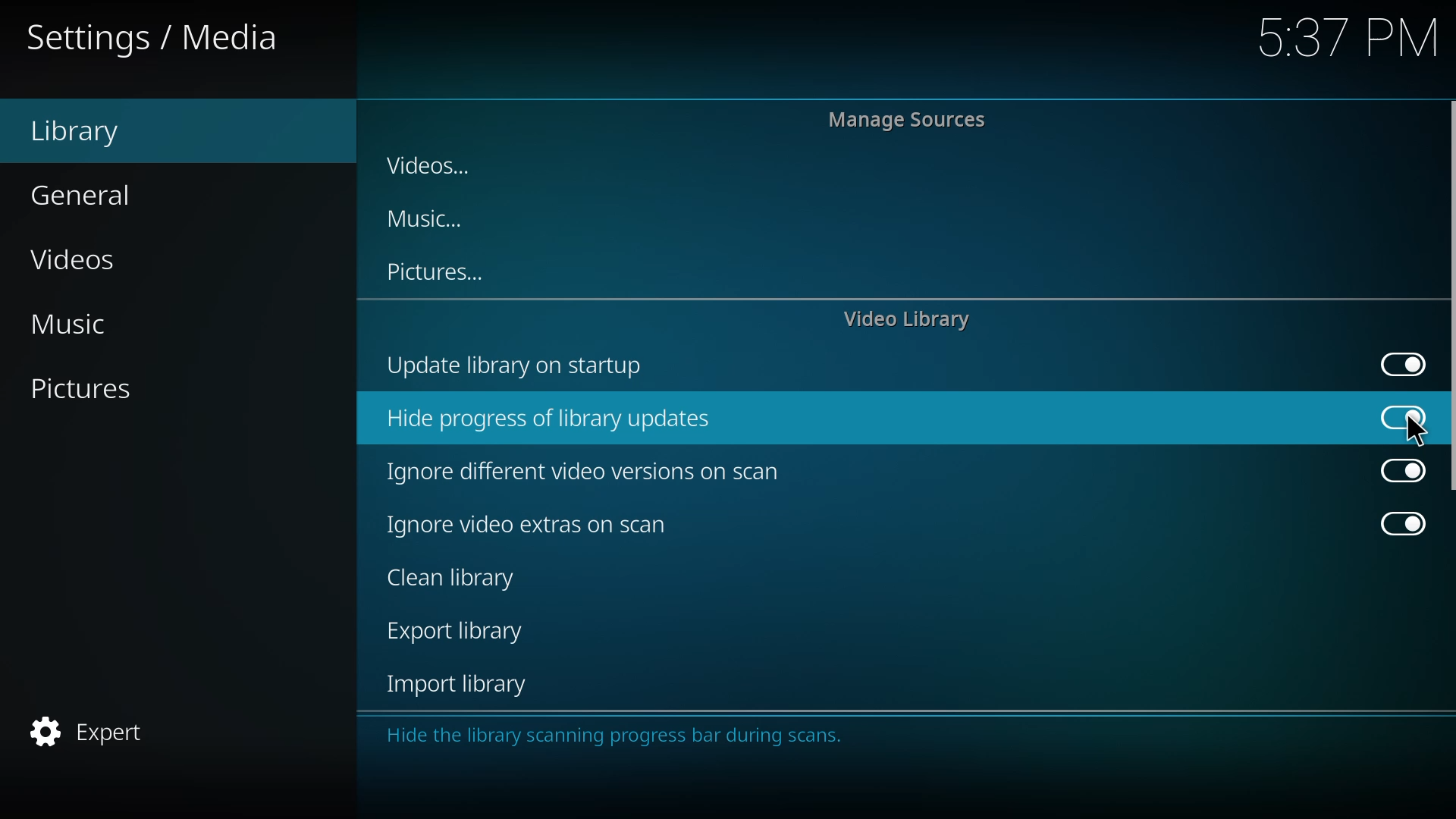  Describe the element at coordinates (1393, 521) in the screenshot. I see `enabled` at that location.